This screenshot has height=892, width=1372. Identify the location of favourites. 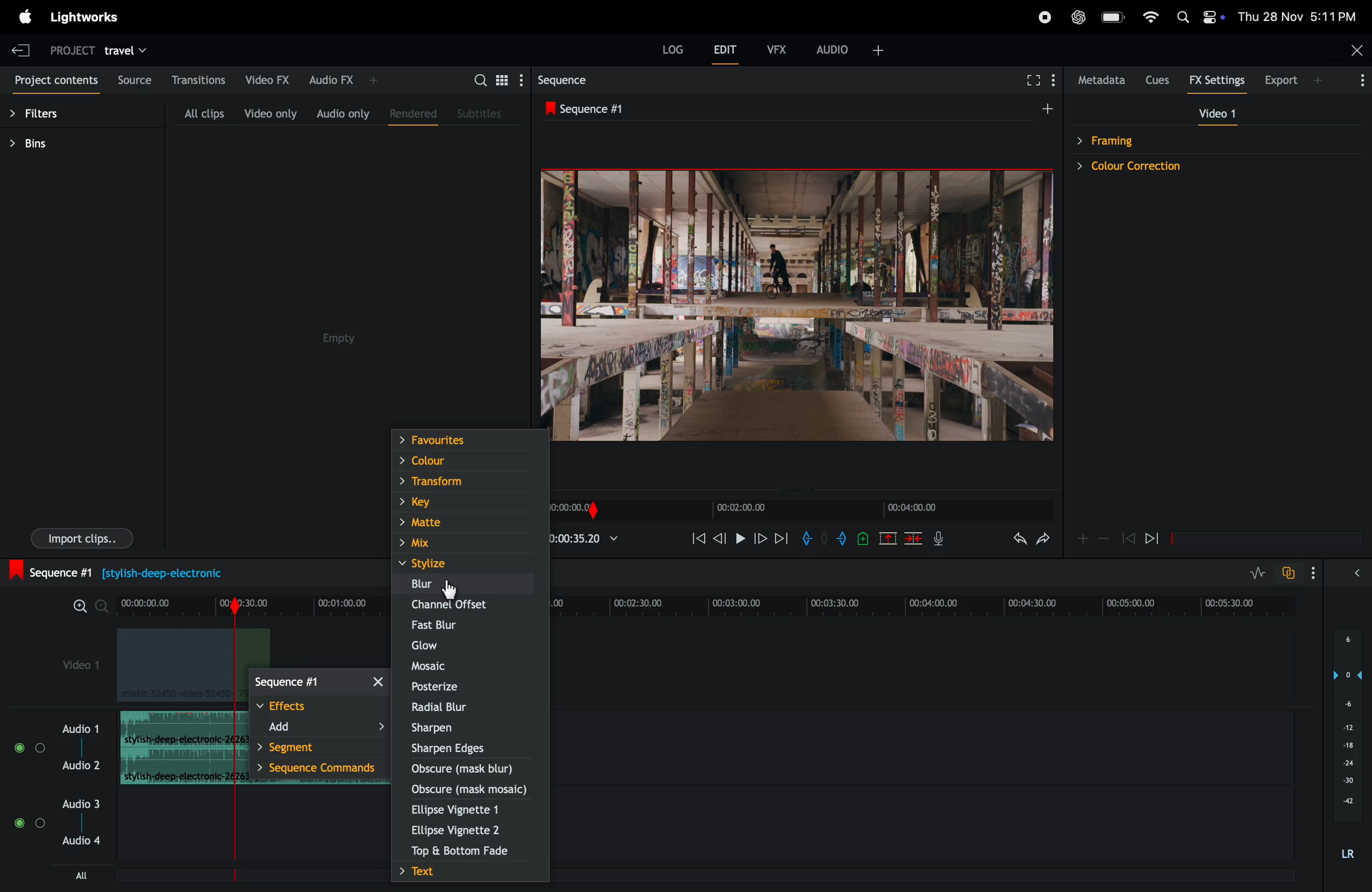
(468, 439).